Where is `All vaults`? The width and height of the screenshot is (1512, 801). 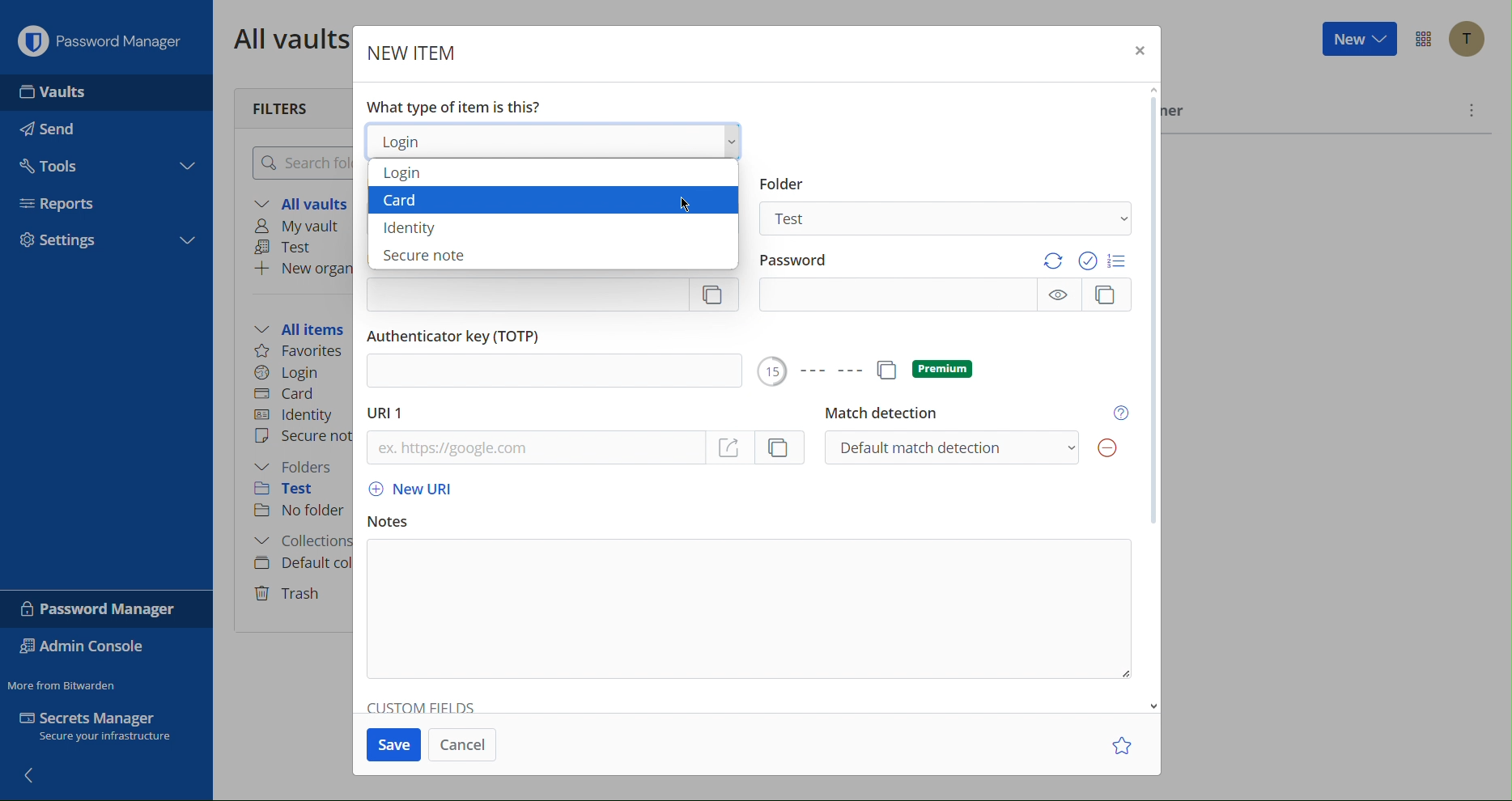 All vaults is located at coordinates (287, 37).